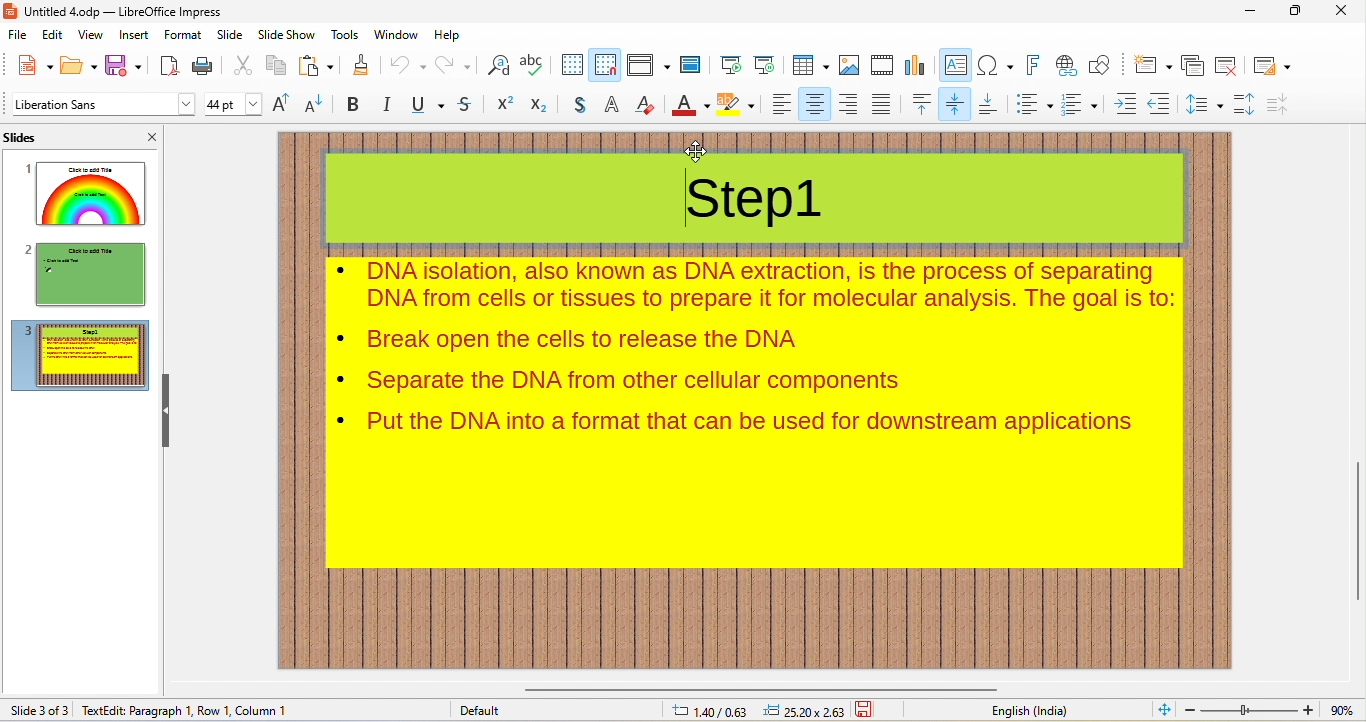 Image resolution: width=1366 pixels, height=722 pixels. I want to click on font color, so click(691, 106).